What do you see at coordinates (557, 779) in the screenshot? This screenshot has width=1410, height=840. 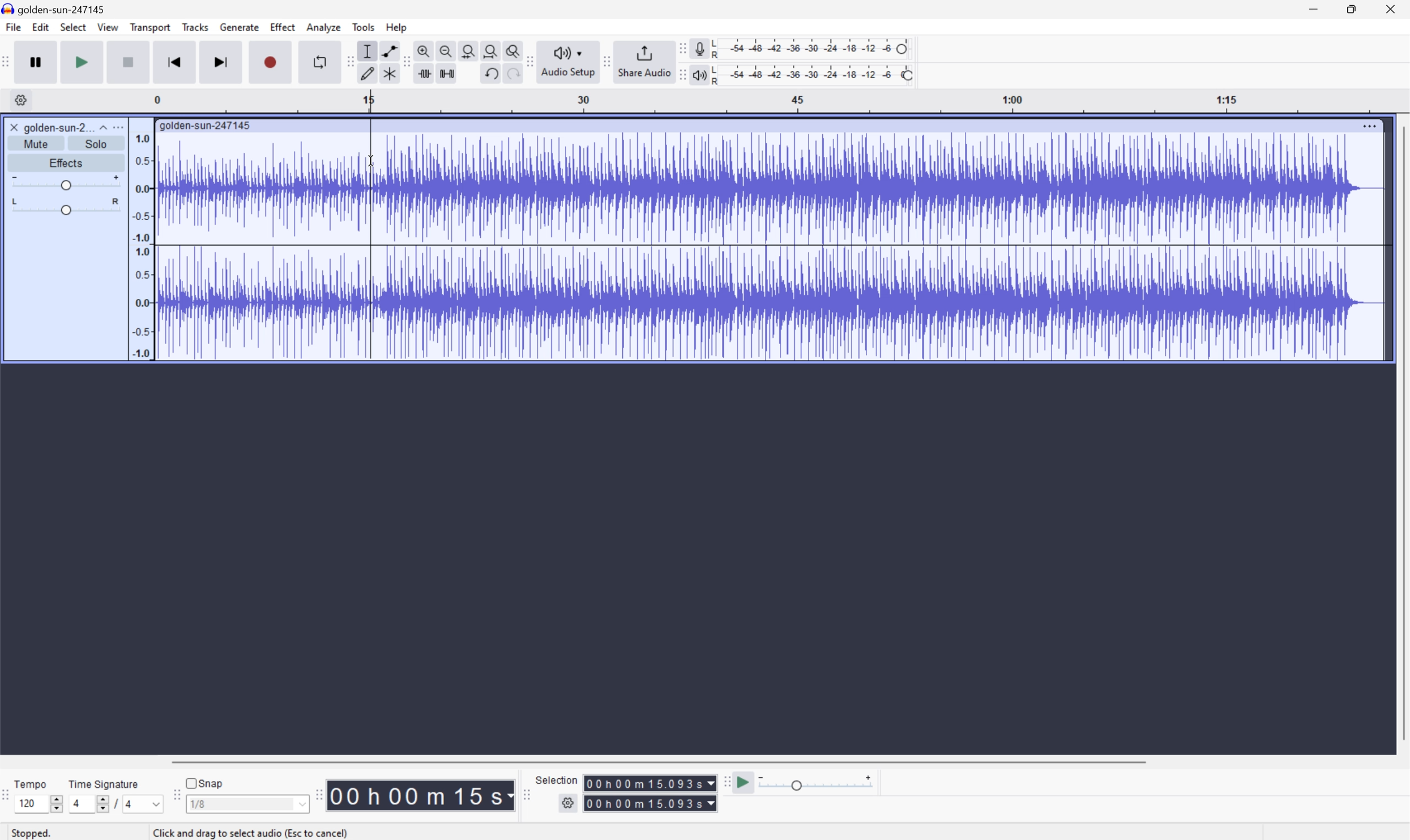 I see `Selection` at bounding box center [557, 779].